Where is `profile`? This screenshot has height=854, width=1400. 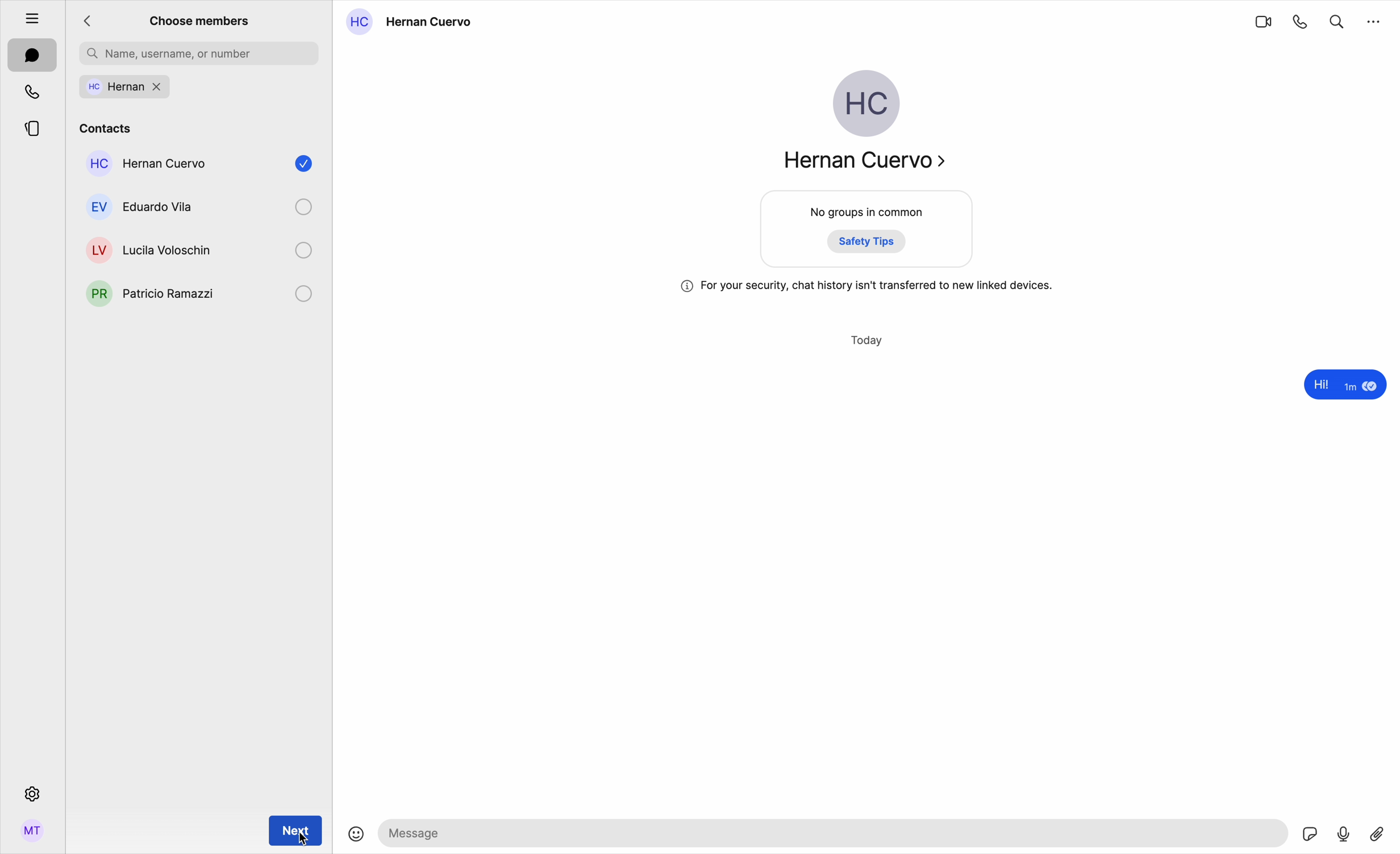
profile is located at coordinates (32, 835).